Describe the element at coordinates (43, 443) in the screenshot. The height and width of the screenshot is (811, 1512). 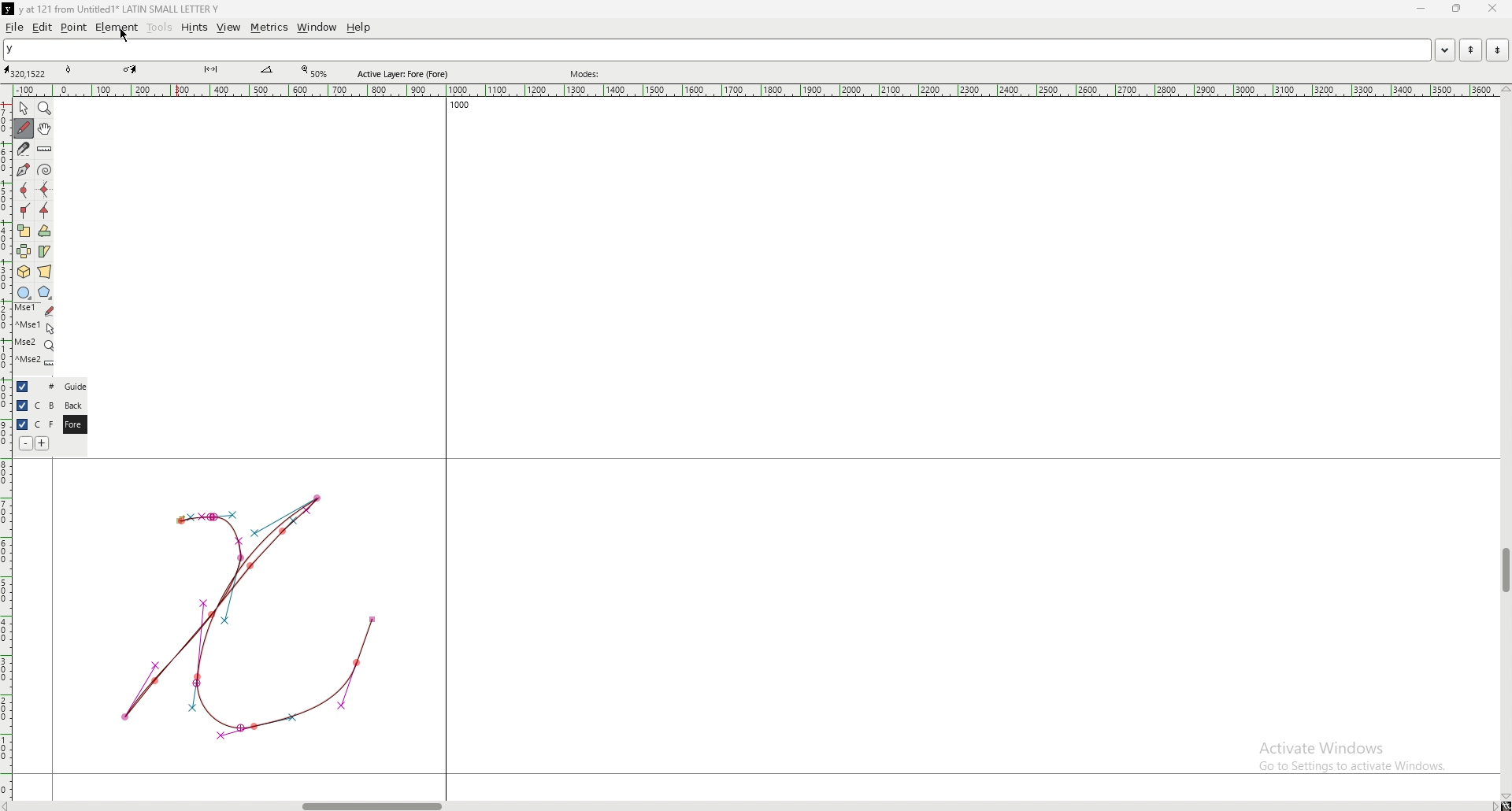
I see `add layer` at that location.